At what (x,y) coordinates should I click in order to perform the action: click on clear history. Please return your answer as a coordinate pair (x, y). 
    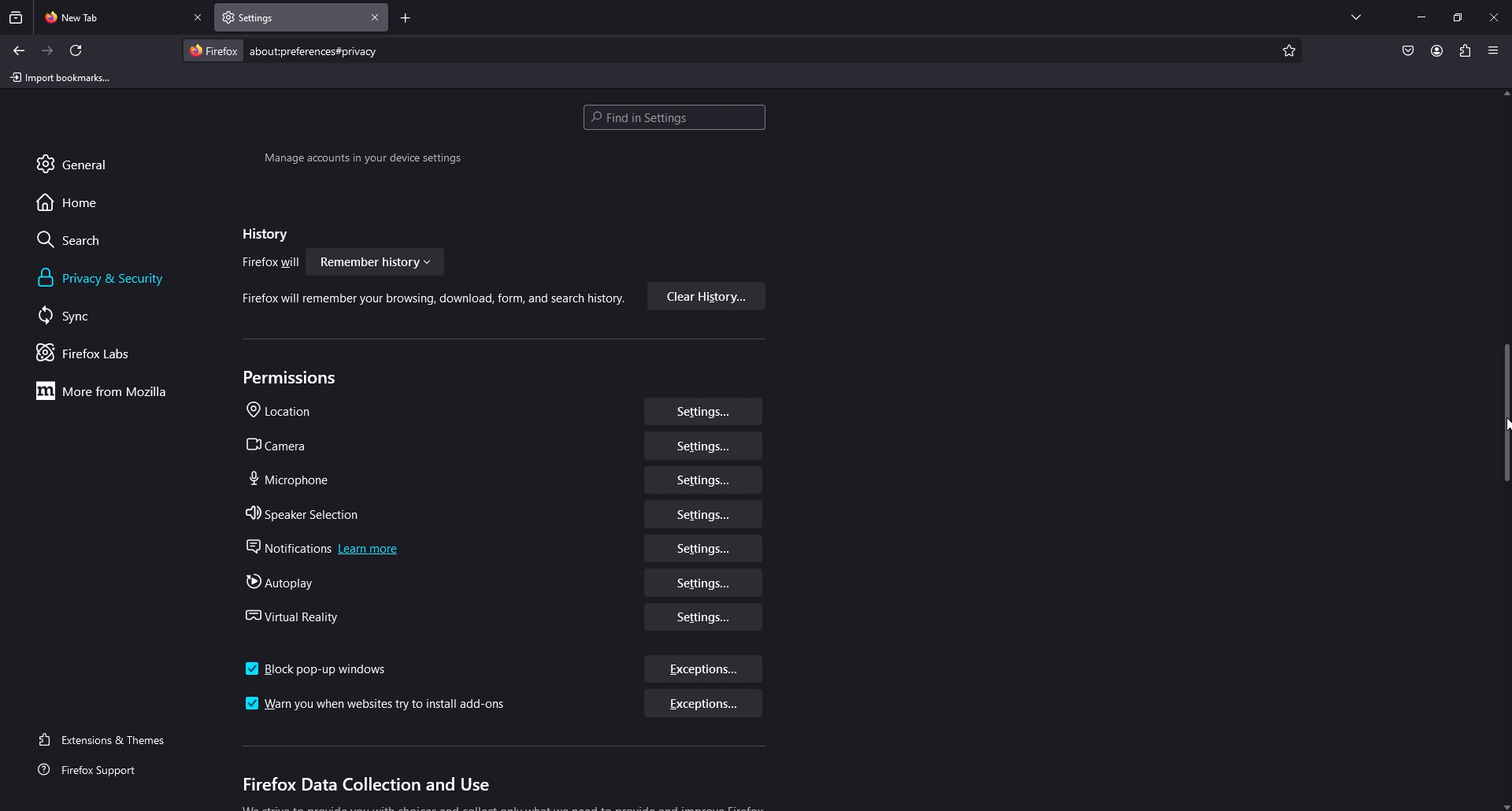
    Looking at the image, I should click on (706, 297).